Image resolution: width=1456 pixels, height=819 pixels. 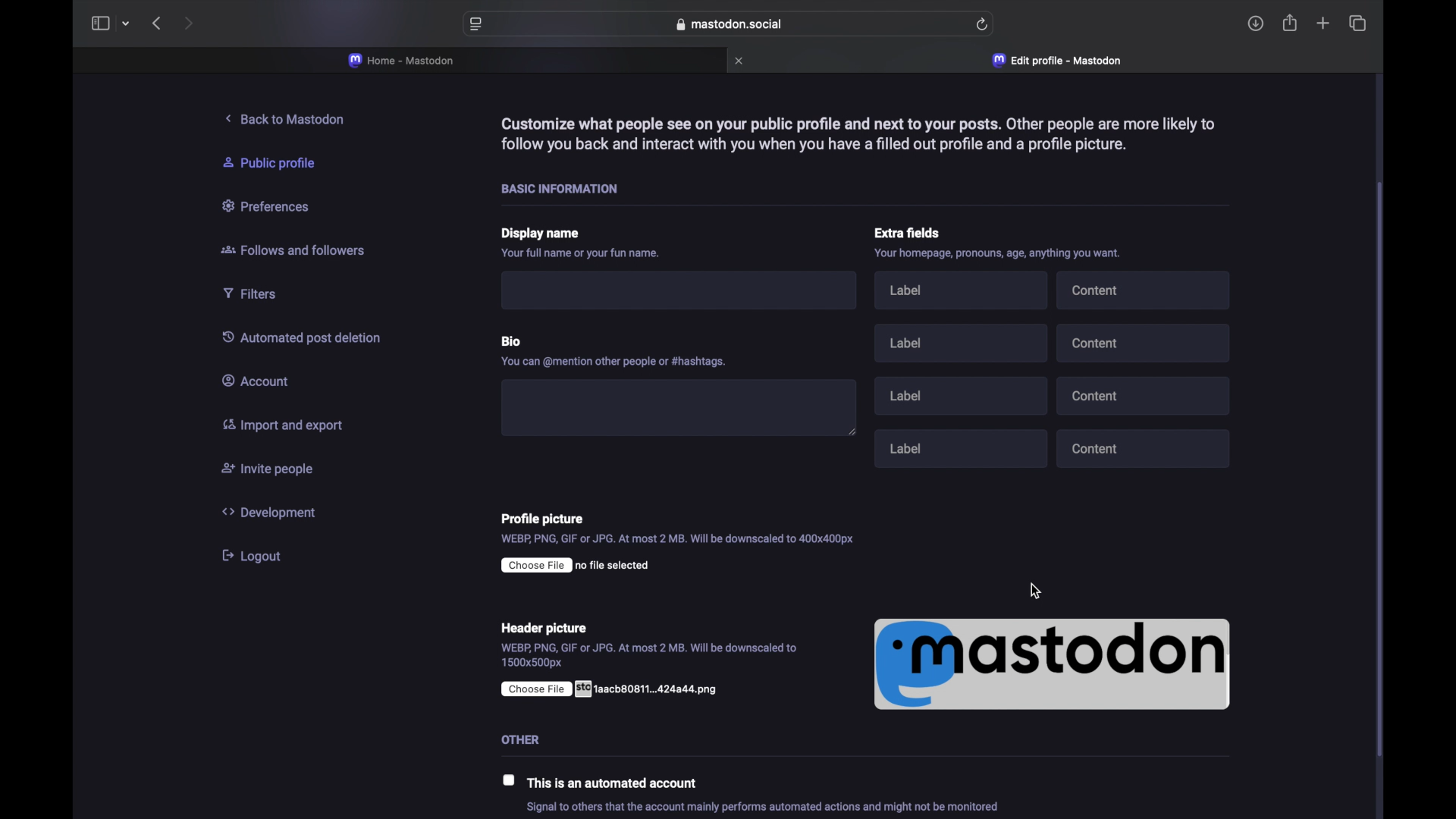 I want to click on filters, so click(x=256, y=293).